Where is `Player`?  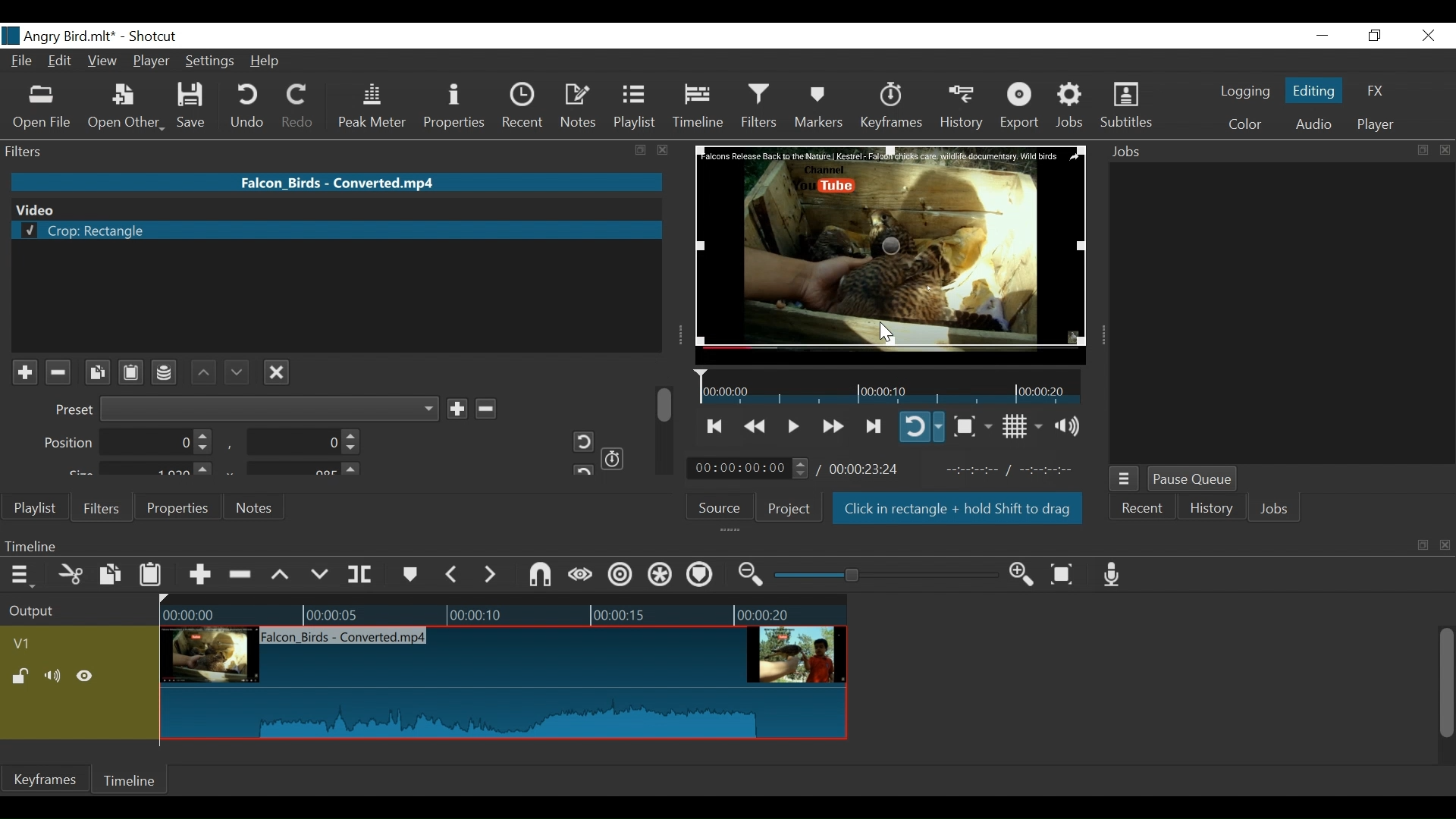
Player is located at coordinates (1376, 125).